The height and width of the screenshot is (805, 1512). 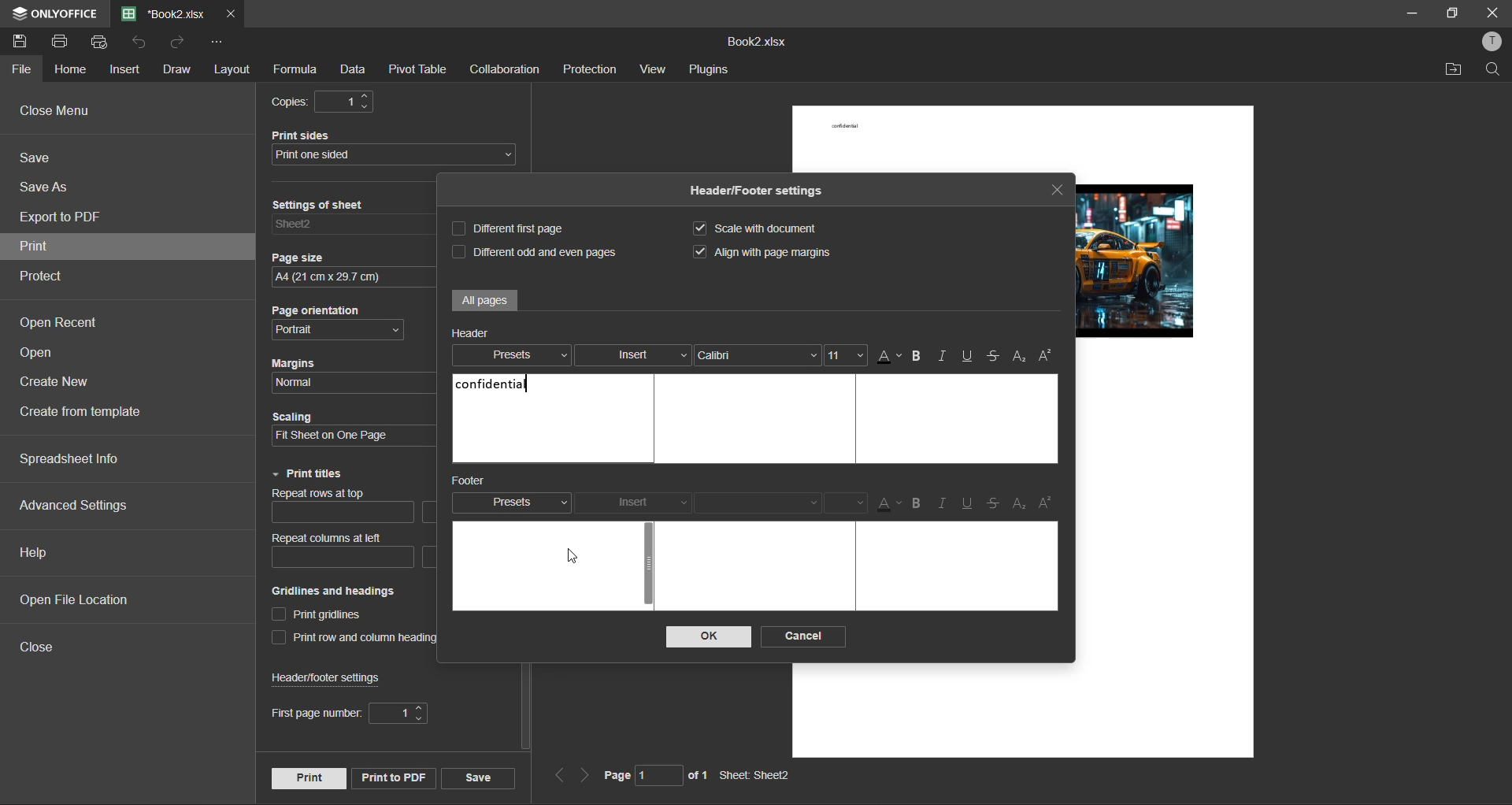 I want to click on find, so click(x=1496, y=69).